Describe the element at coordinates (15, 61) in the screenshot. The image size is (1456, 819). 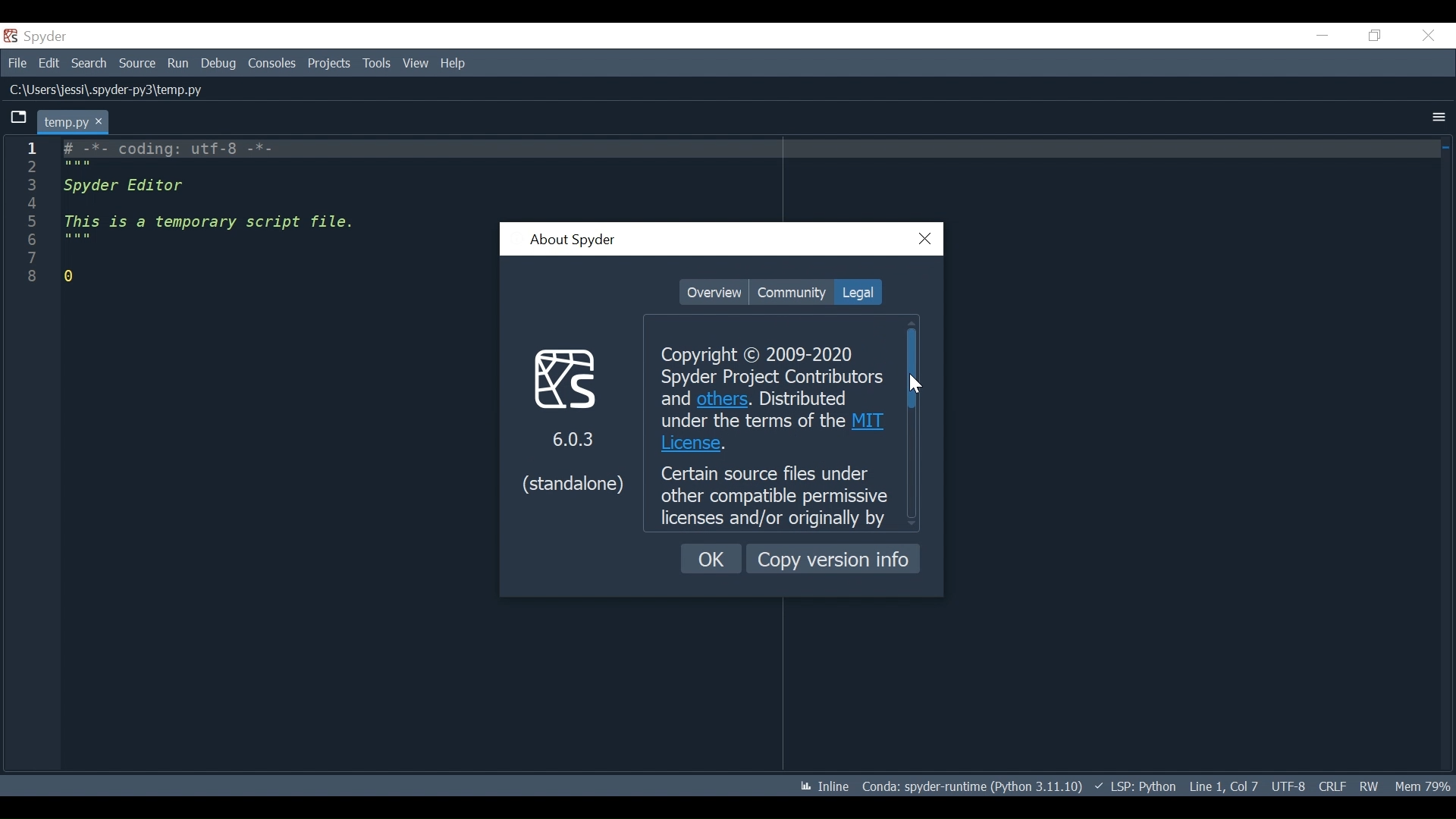
I see `File` at that location.